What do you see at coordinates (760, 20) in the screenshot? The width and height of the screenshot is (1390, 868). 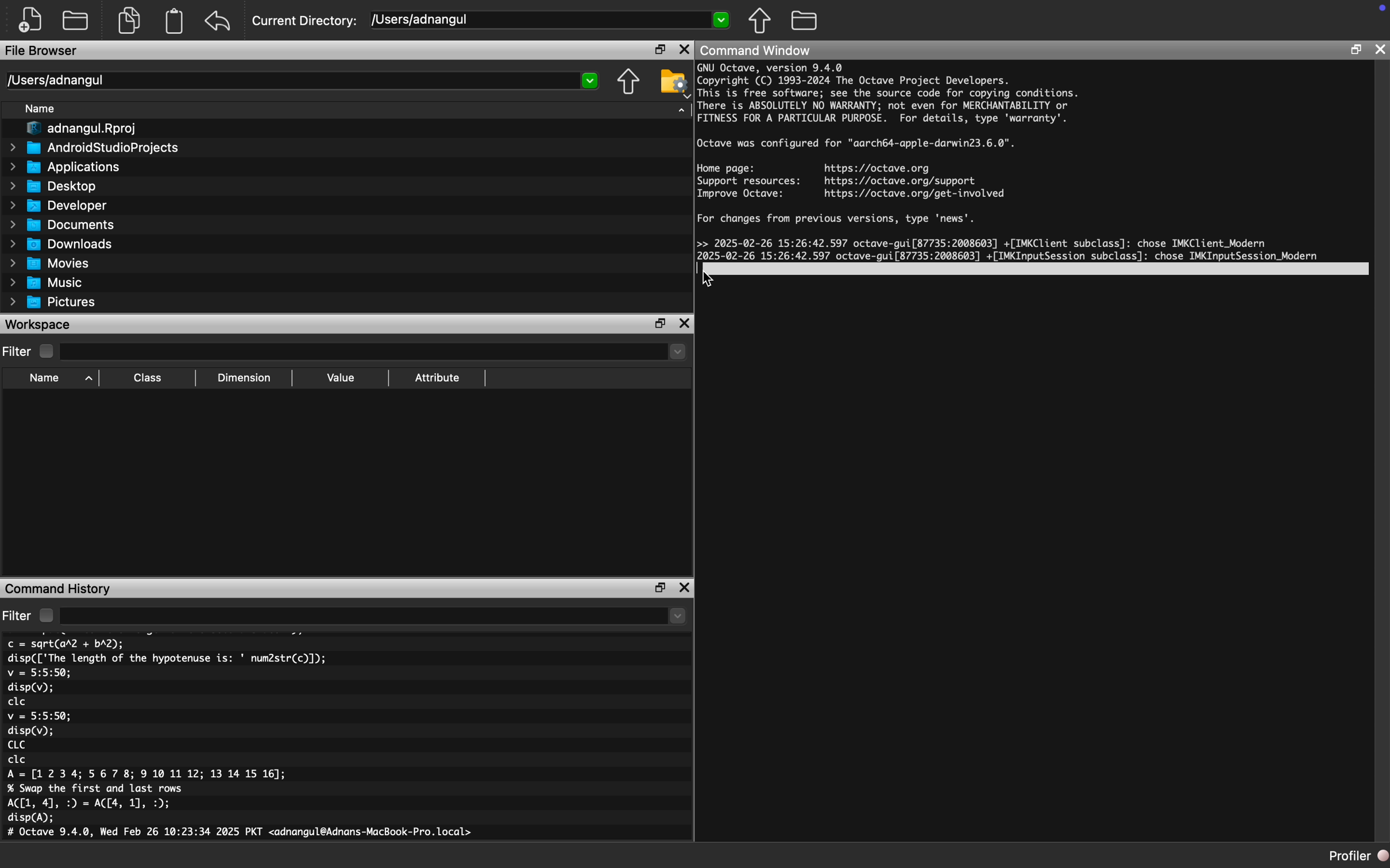 I see `Parent Directory` at bounding box center [760, 20].